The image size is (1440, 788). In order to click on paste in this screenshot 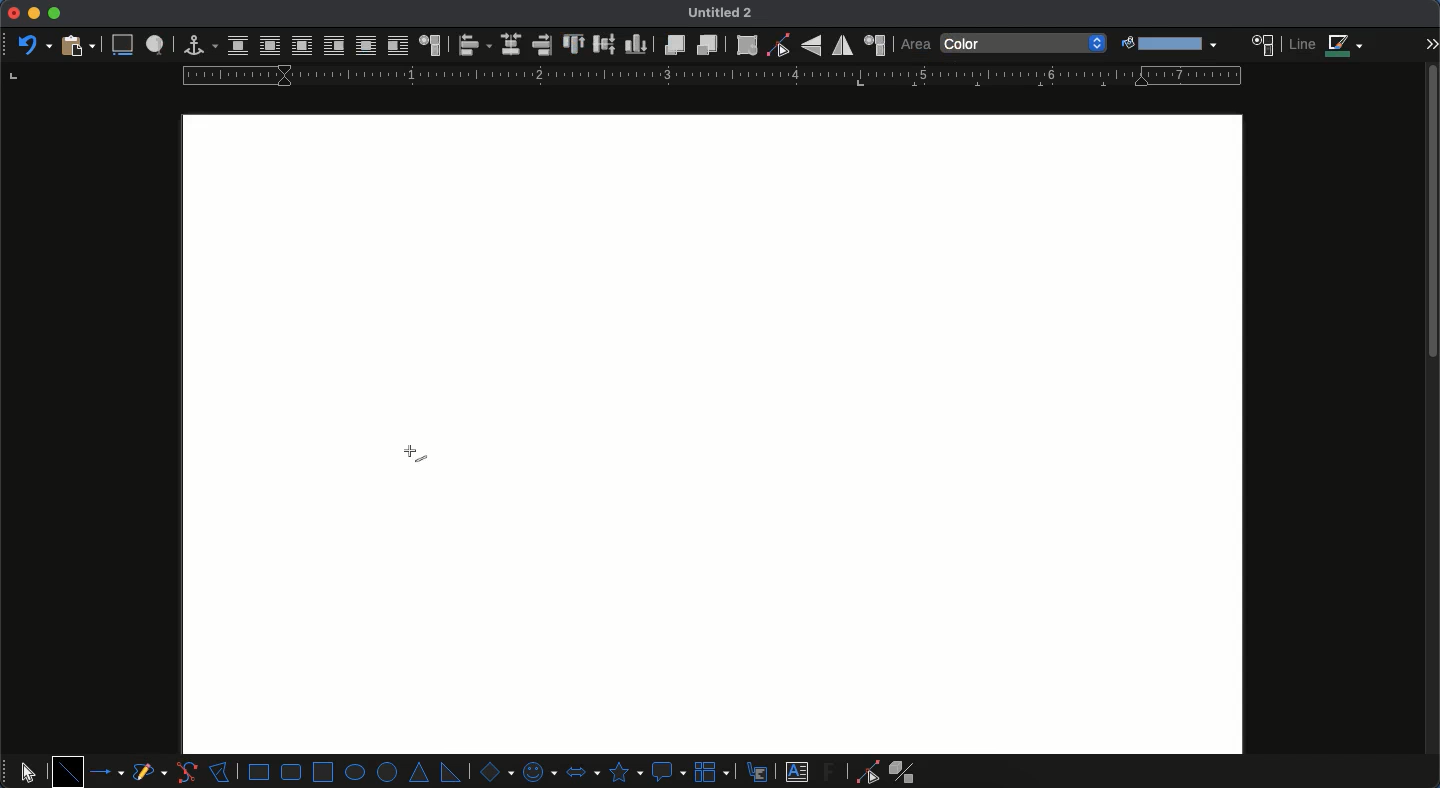, I will do `click(76, 45)`.